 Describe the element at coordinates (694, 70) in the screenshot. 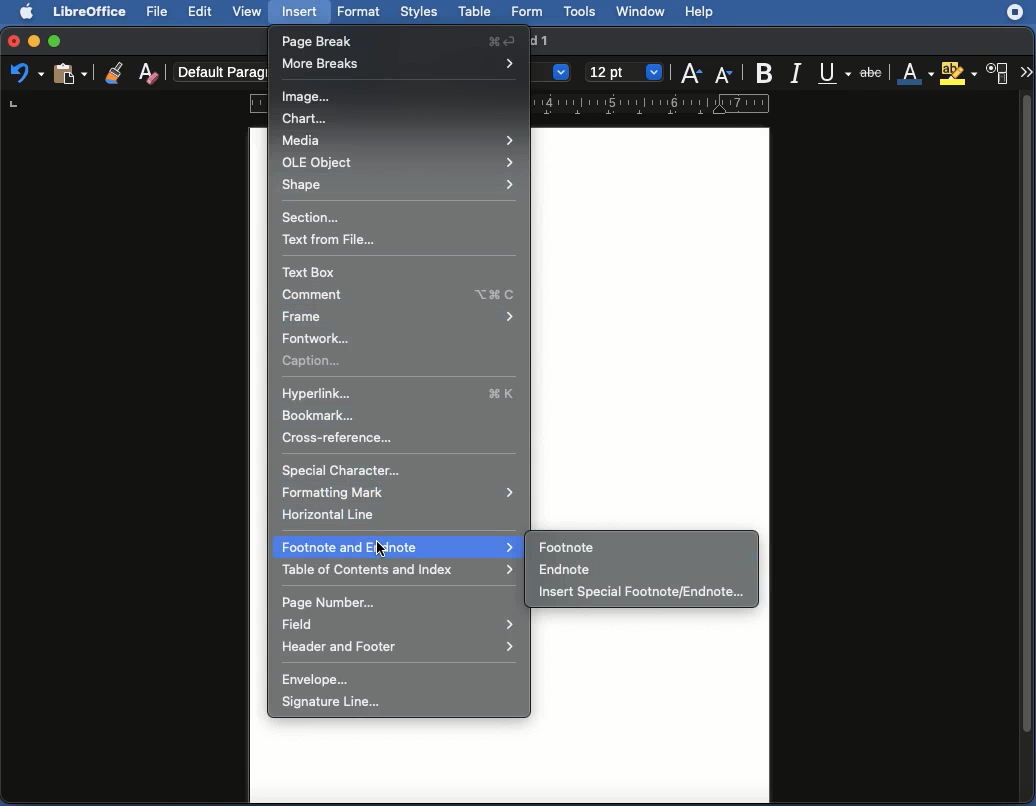

I see `Increase size` at that location.